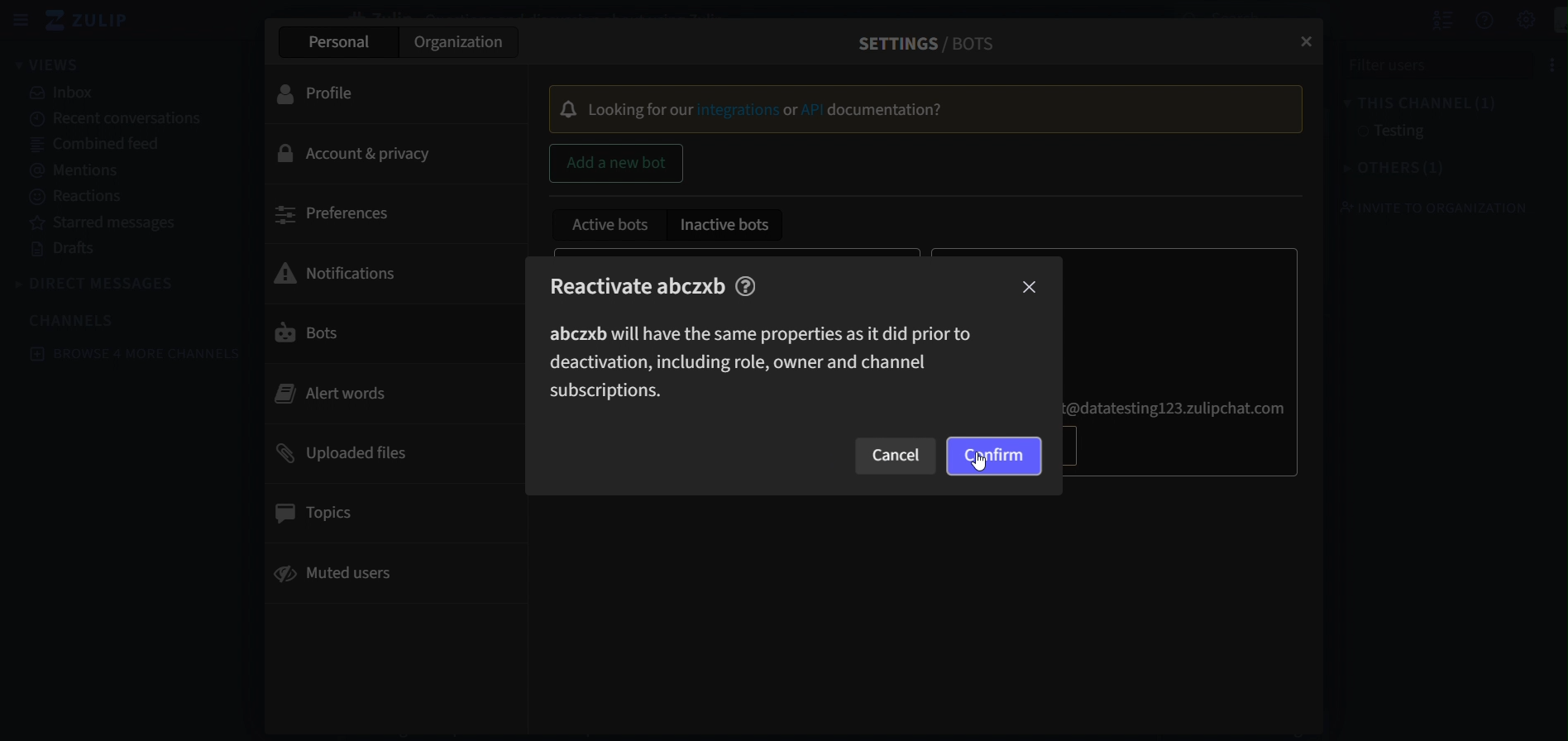  What do you see at coordinates (342, 39) in the screenshot?
I see `persoanl` at bounding box center [342, 39].